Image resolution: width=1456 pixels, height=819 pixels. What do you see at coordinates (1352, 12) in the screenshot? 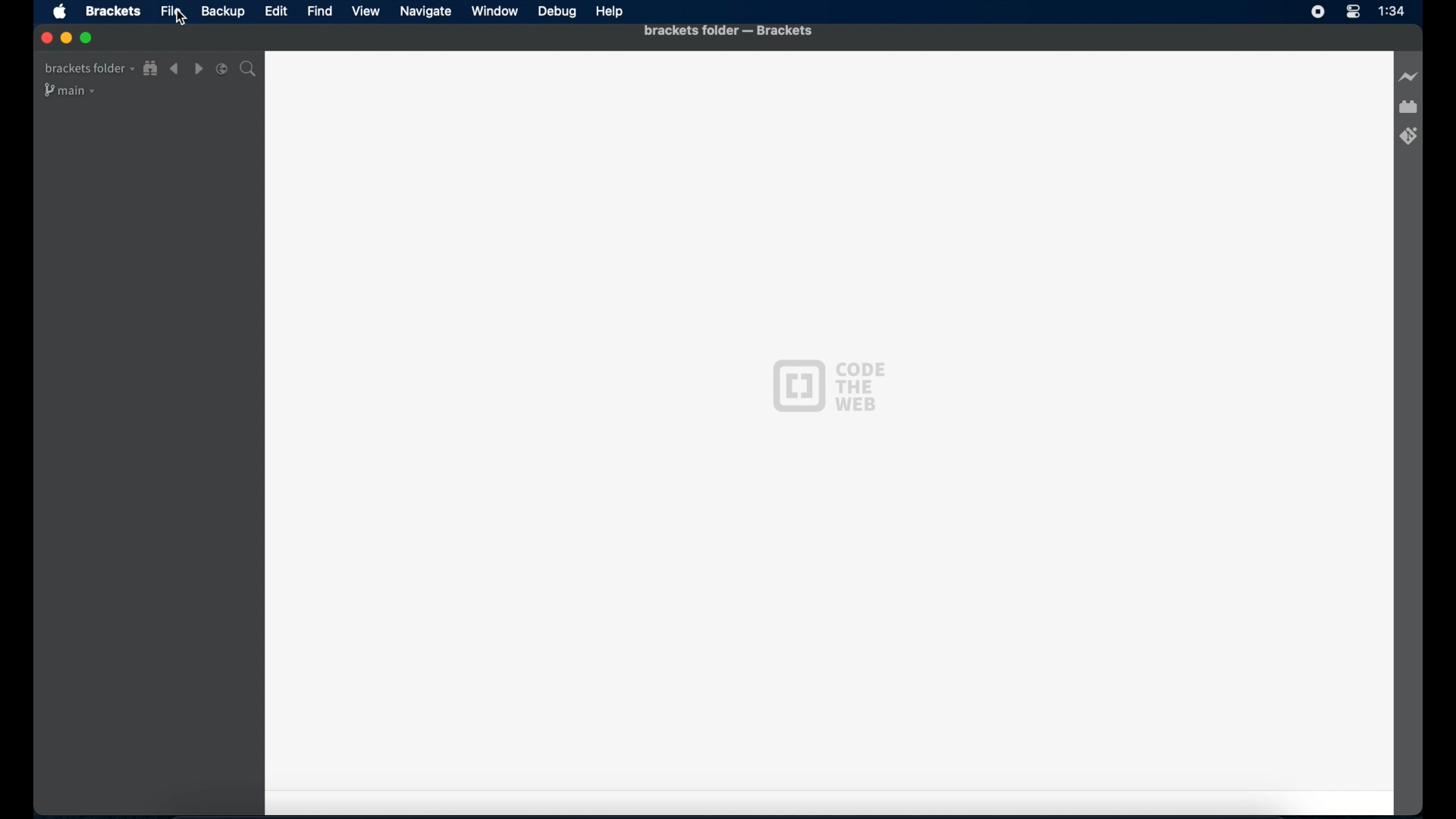
I see `Control center` at bounding box center [1352, 12].